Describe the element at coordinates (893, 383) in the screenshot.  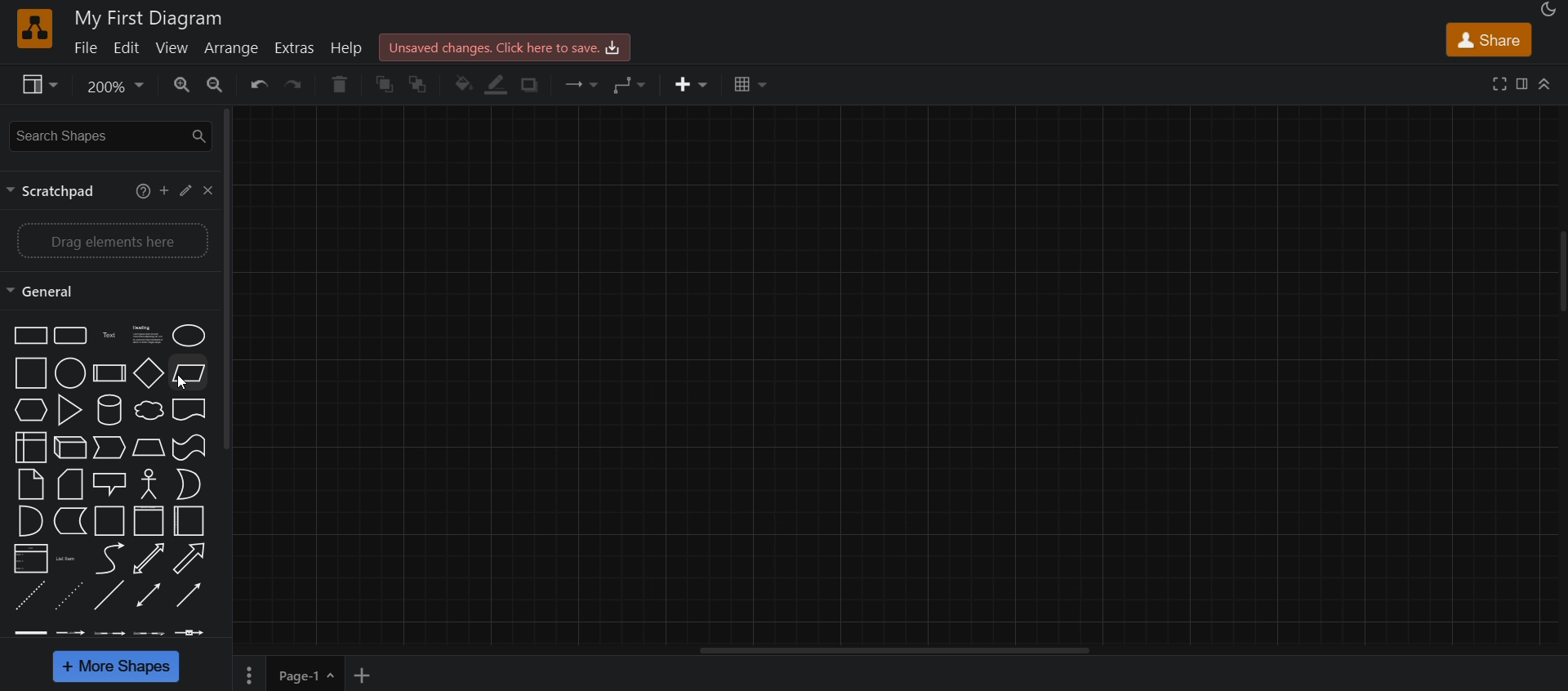
I see `canvas set to 200%` at that location.